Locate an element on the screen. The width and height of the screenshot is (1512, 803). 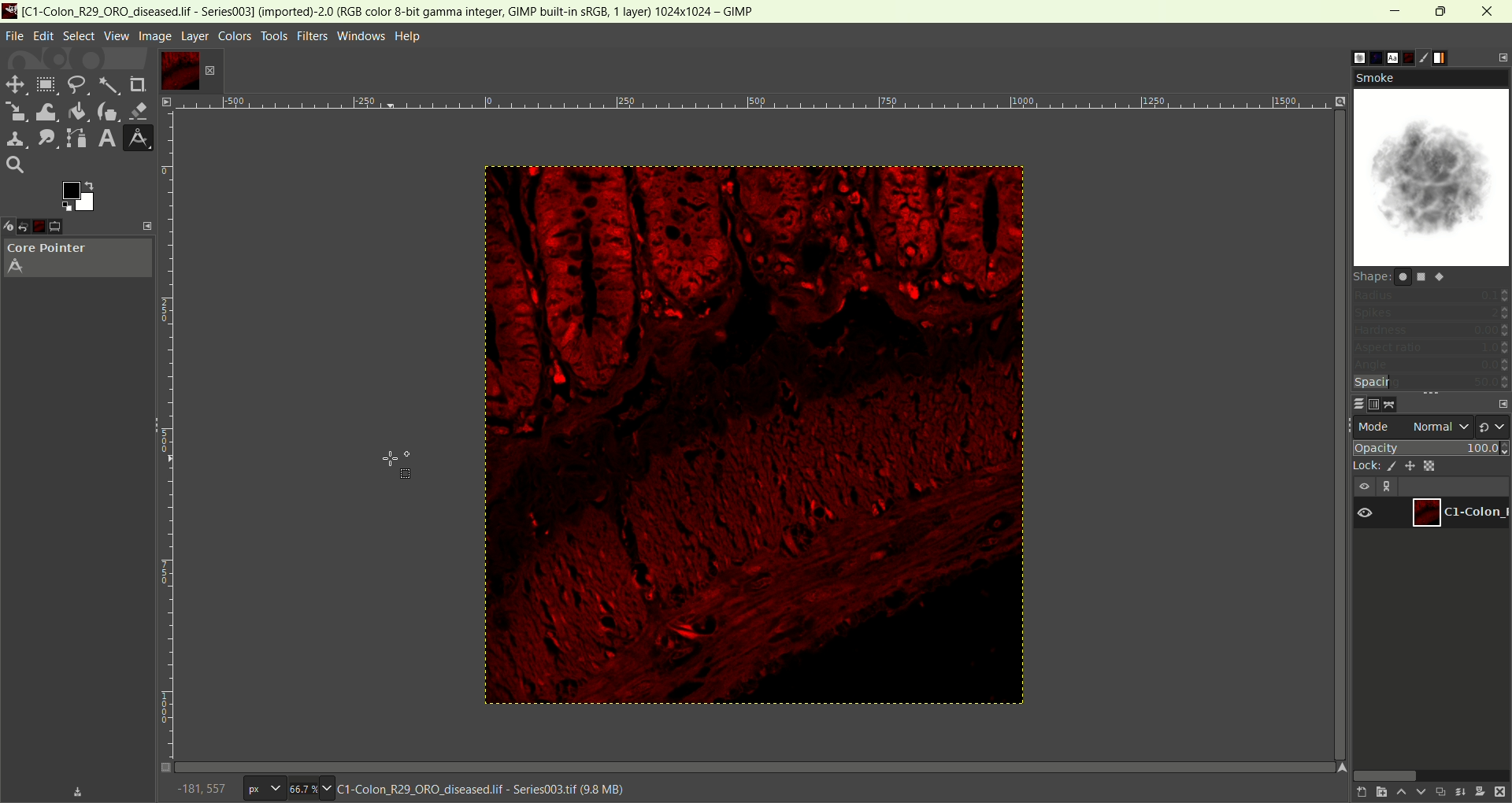
title is located at coordinates (395, 10).